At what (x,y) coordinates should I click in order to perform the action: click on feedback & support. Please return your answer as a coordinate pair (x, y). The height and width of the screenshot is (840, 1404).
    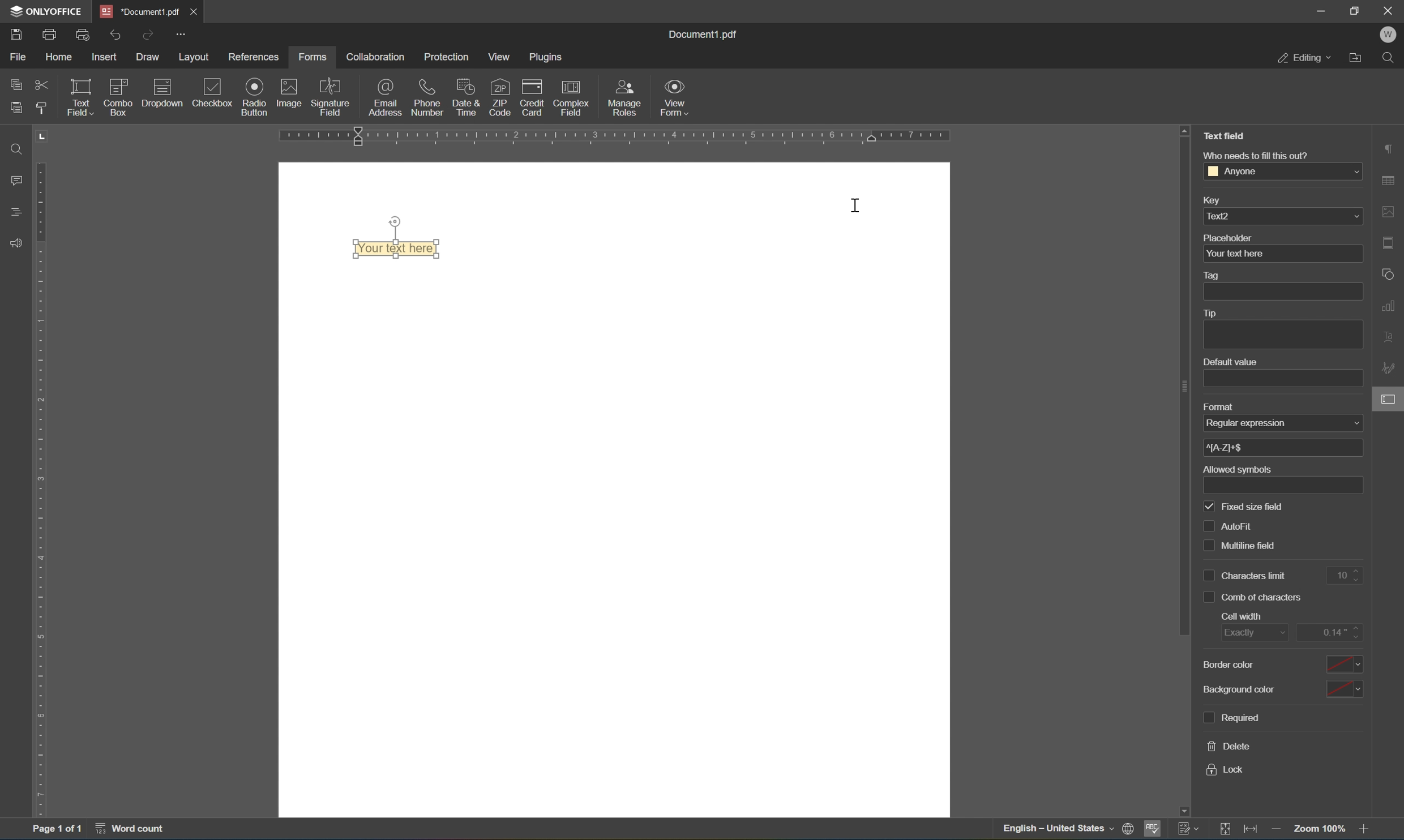
    Looking at the image, I should click on (15, 240).